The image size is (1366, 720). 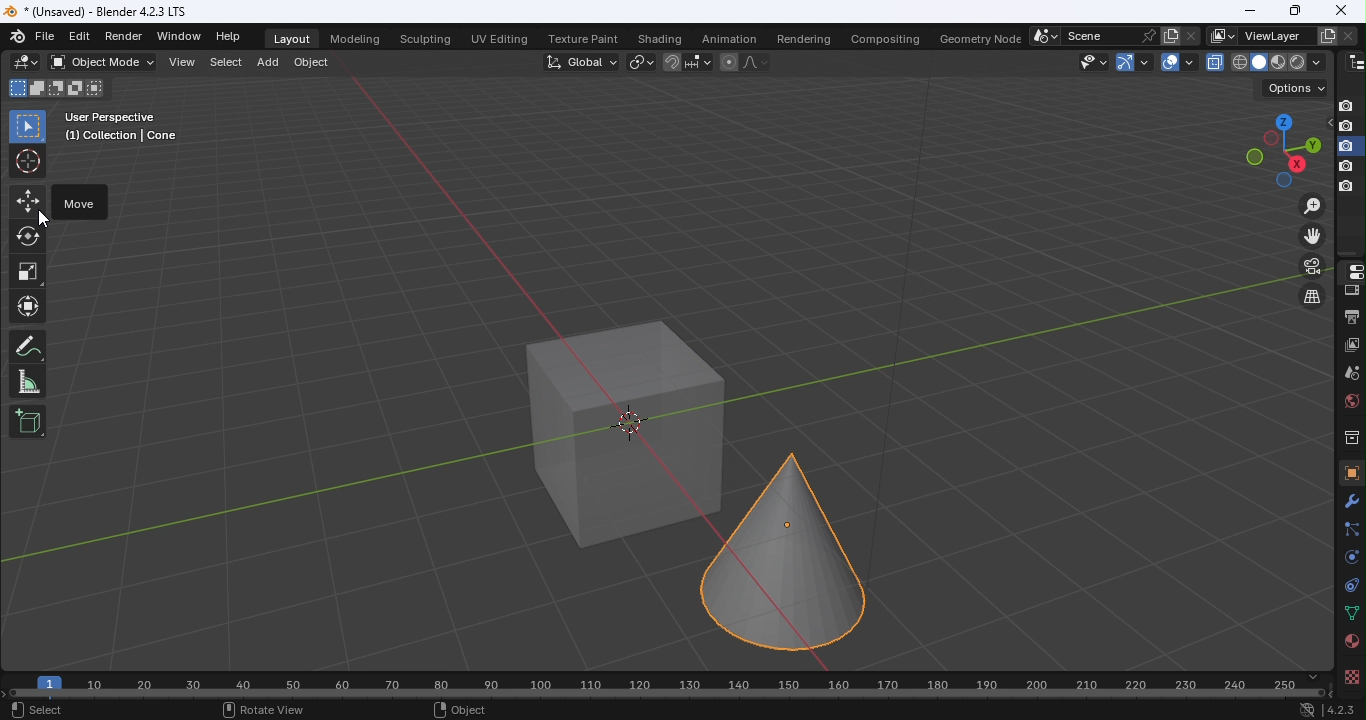 I want to click on disable in renders, so click(x=1346, y=127).